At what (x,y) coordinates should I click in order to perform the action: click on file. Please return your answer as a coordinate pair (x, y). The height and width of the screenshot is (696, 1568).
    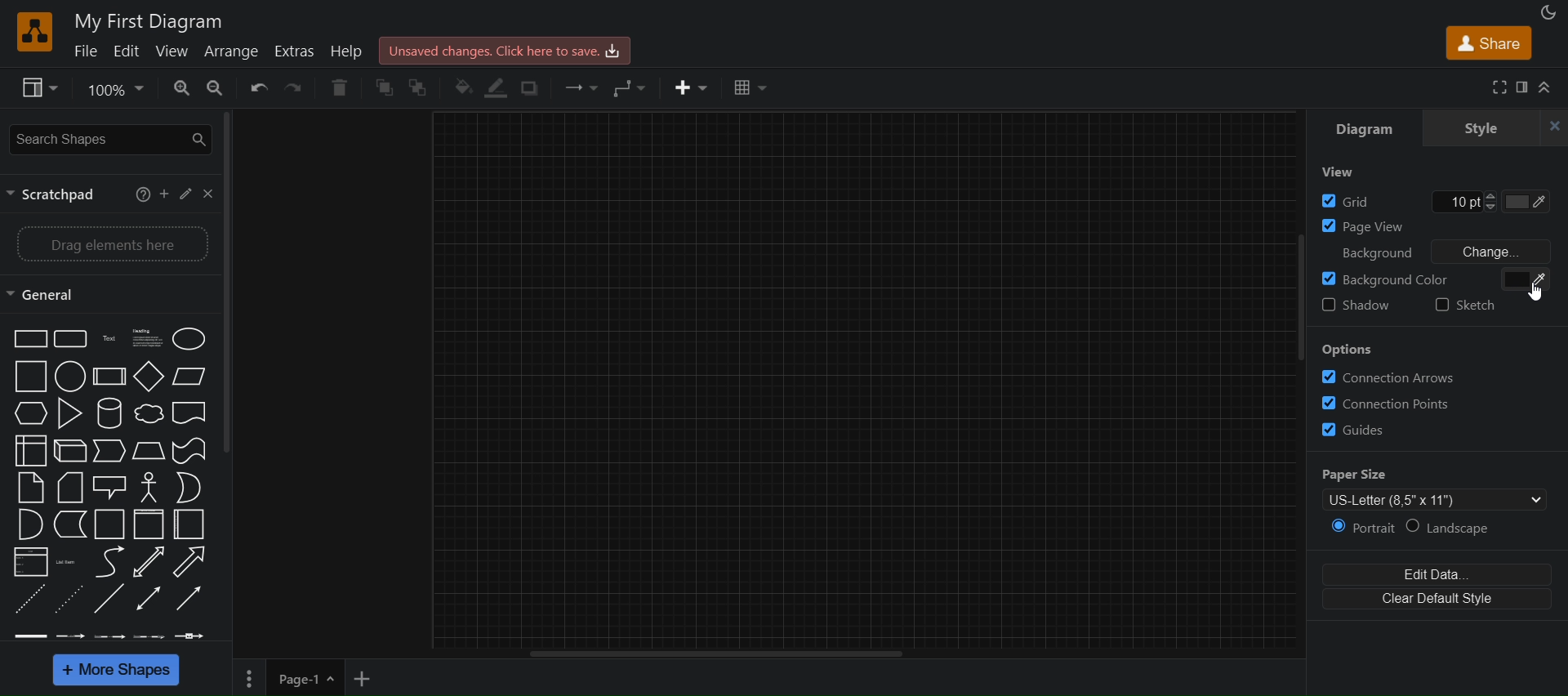
    Looking at the image, I should click on (87, 53).